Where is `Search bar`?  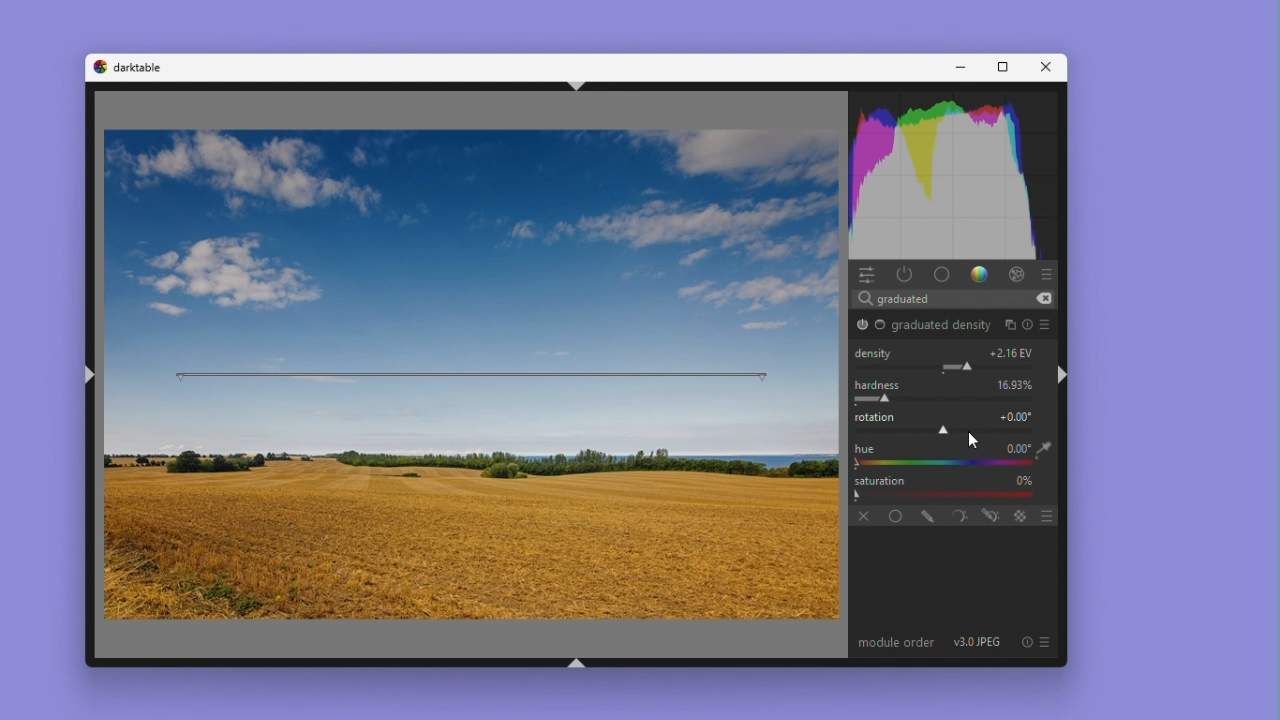
Search bar is located at coordinates (958, 297).